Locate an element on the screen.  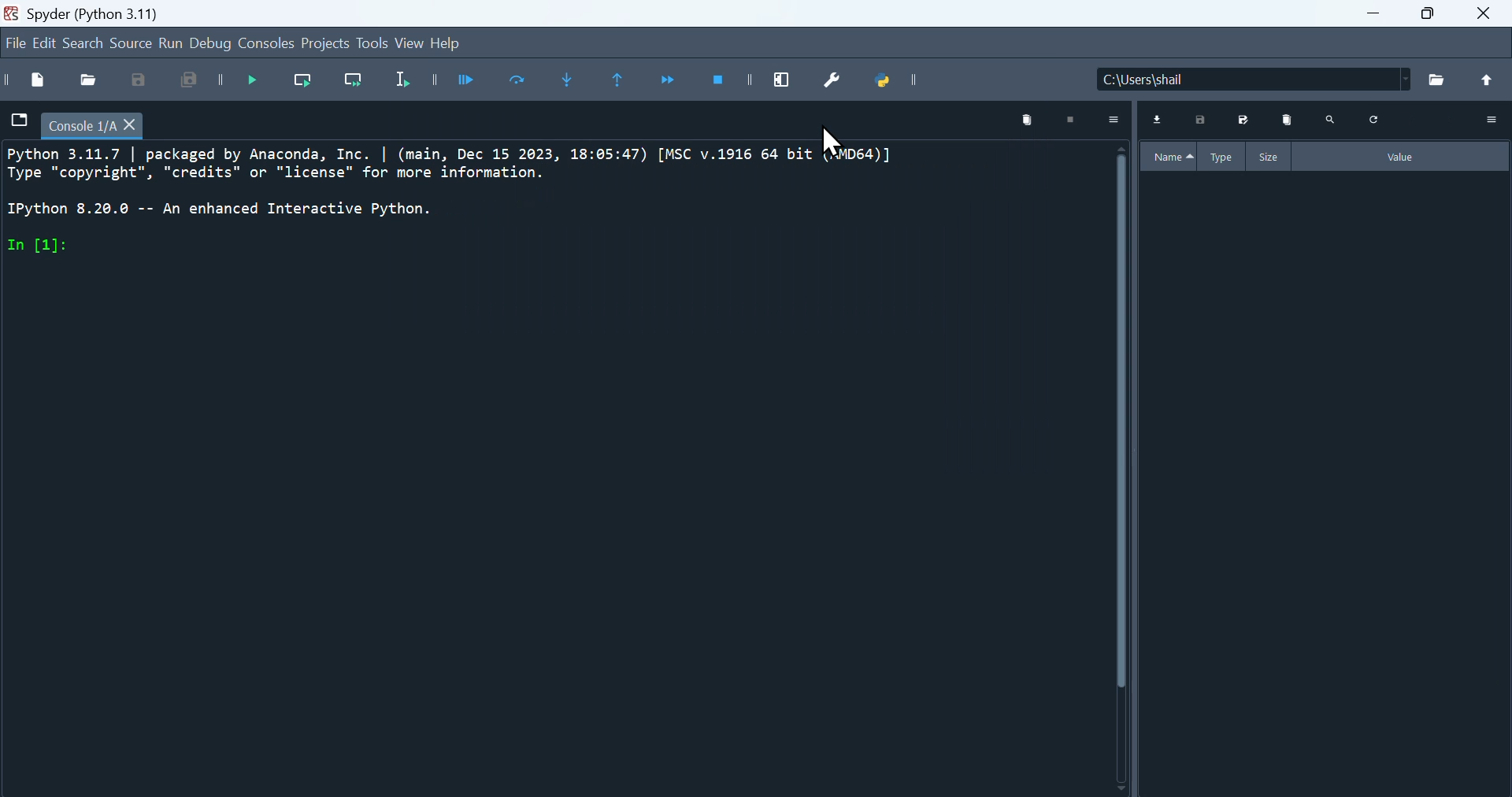
Save all is located at coordinates (196, 83).